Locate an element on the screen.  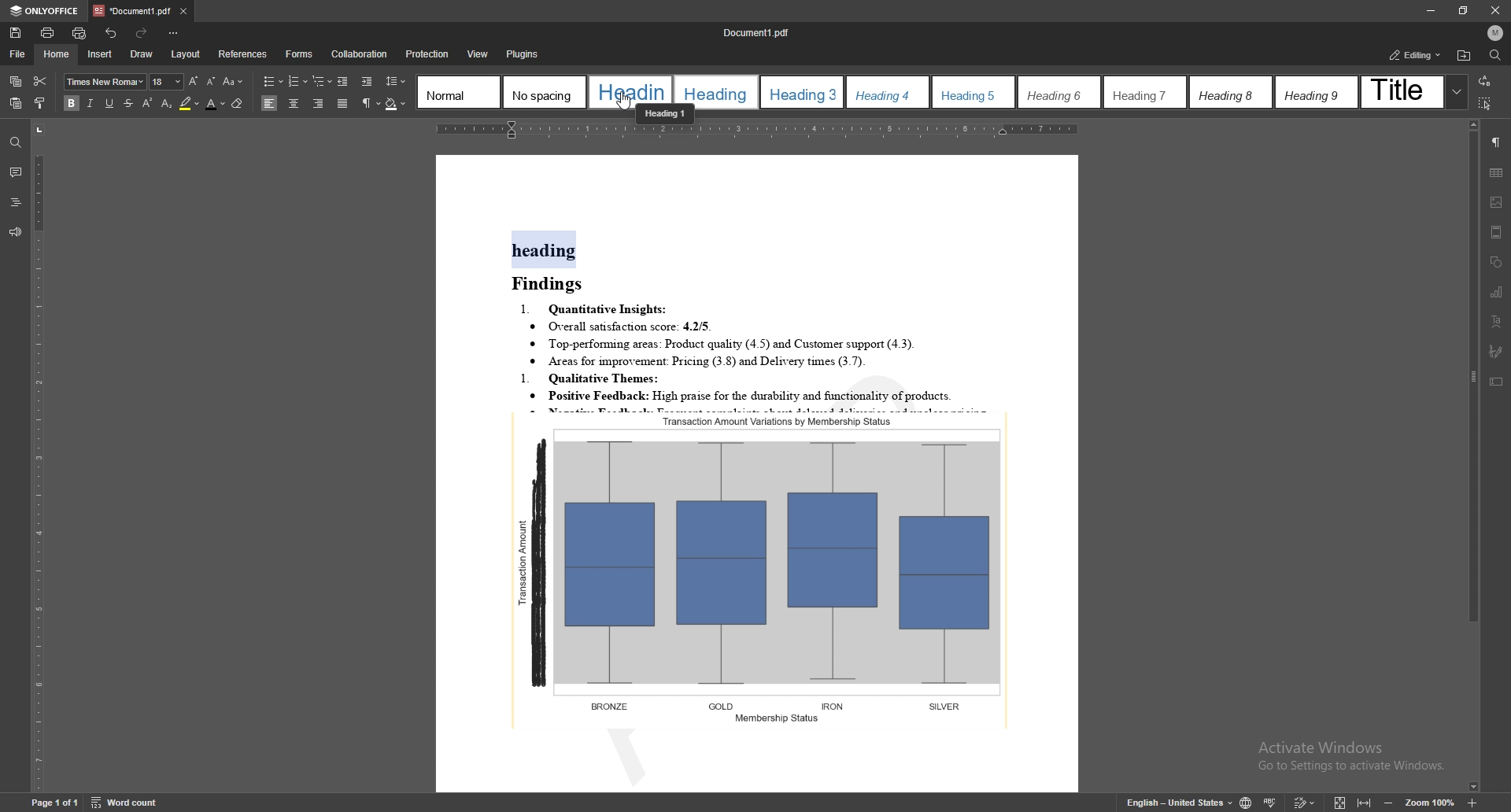
justified is located at coordinates (343, 104).